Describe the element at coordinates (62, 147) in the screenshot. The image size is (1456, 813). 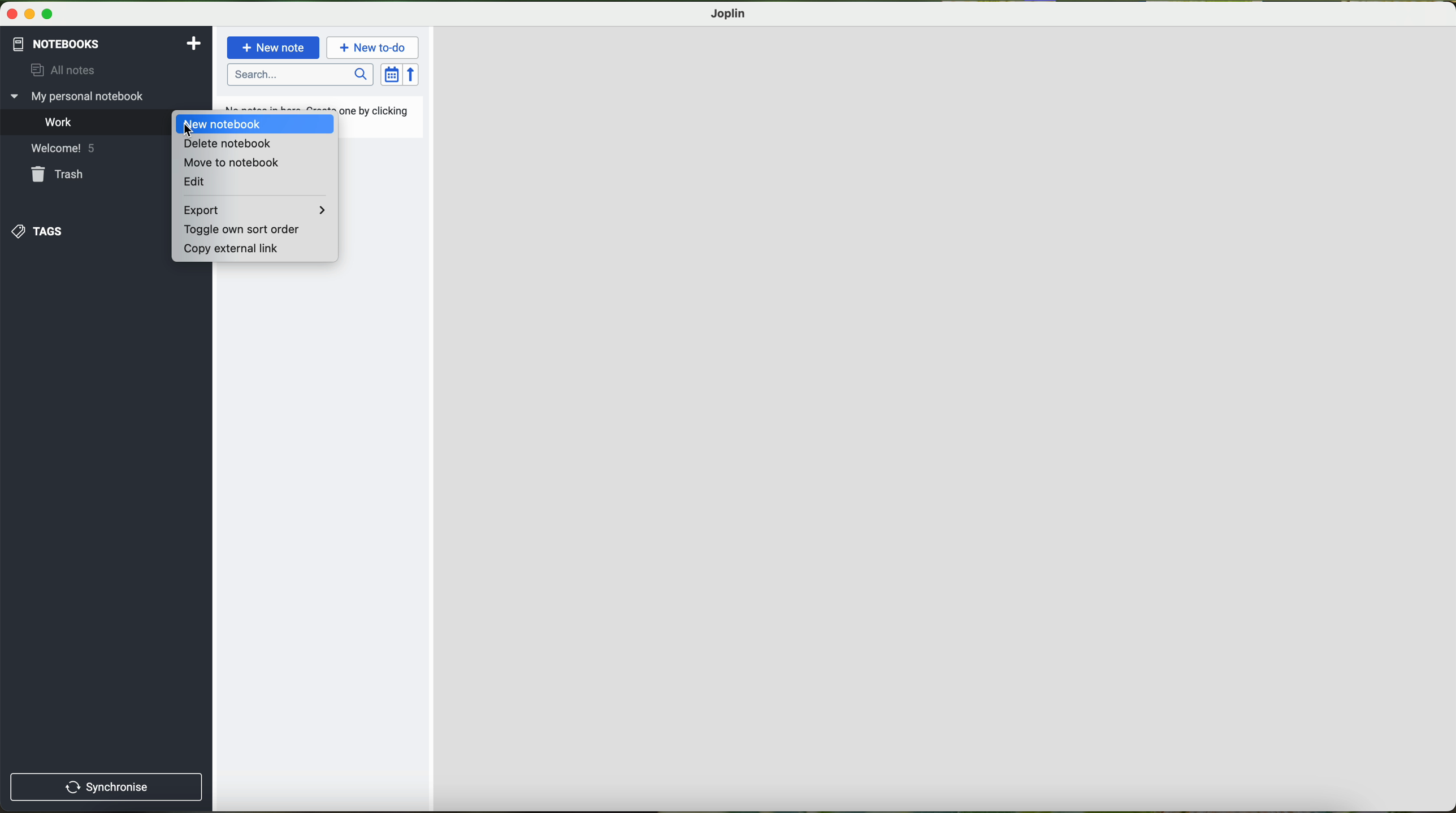
I see `welcome! 5` at that location.